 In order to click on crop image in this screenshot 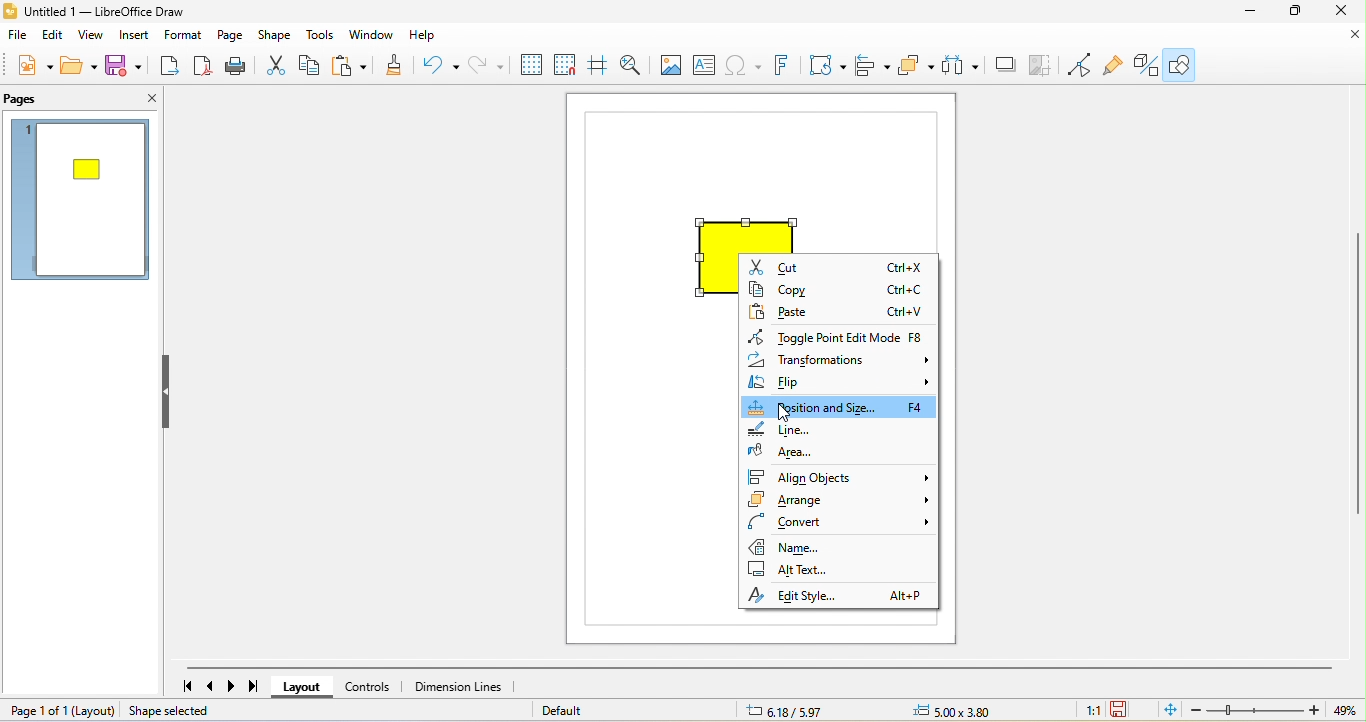, I will do `click(1045, 64)`.